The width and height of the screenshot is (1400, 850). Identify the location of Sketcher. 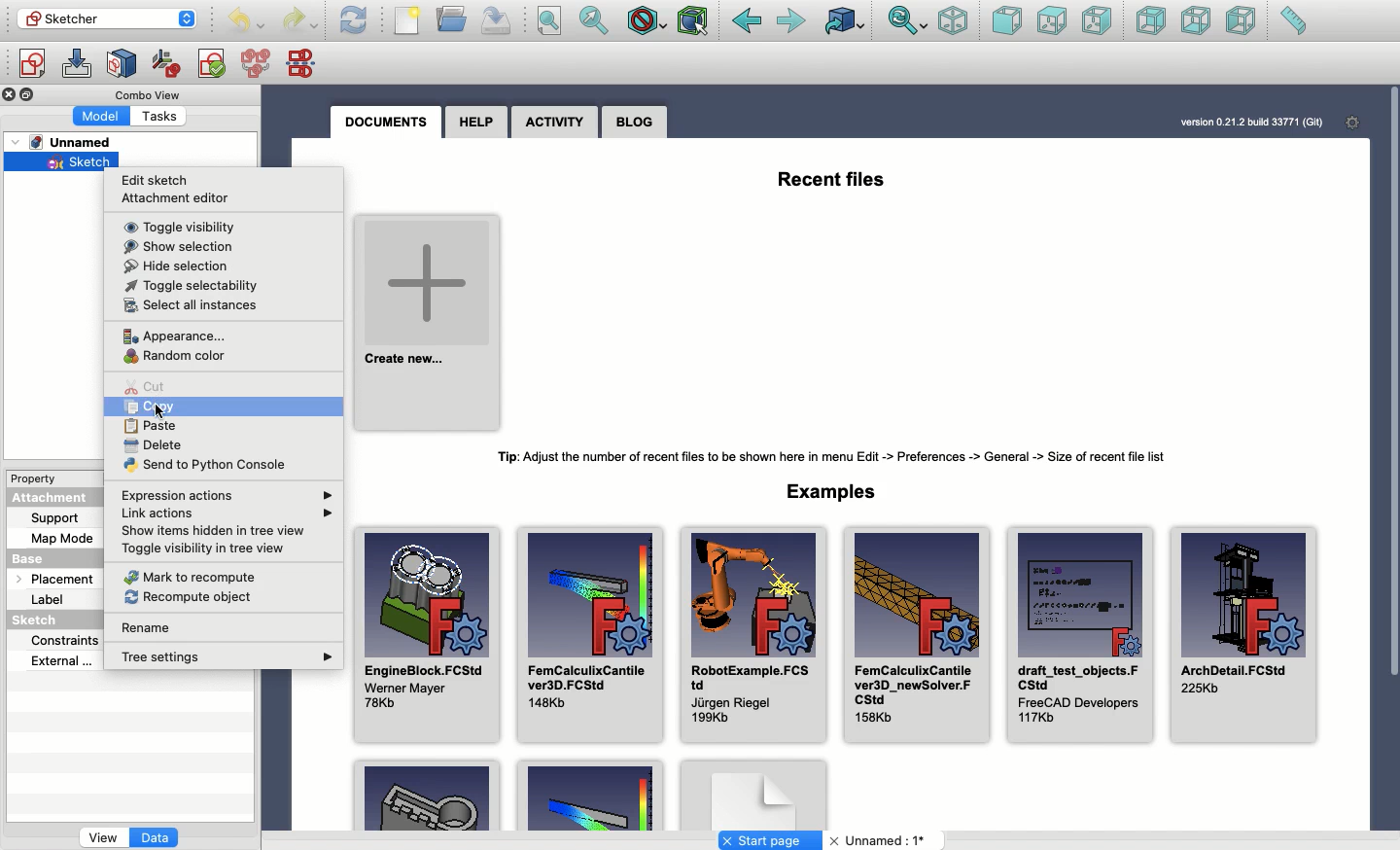
(94, 18).